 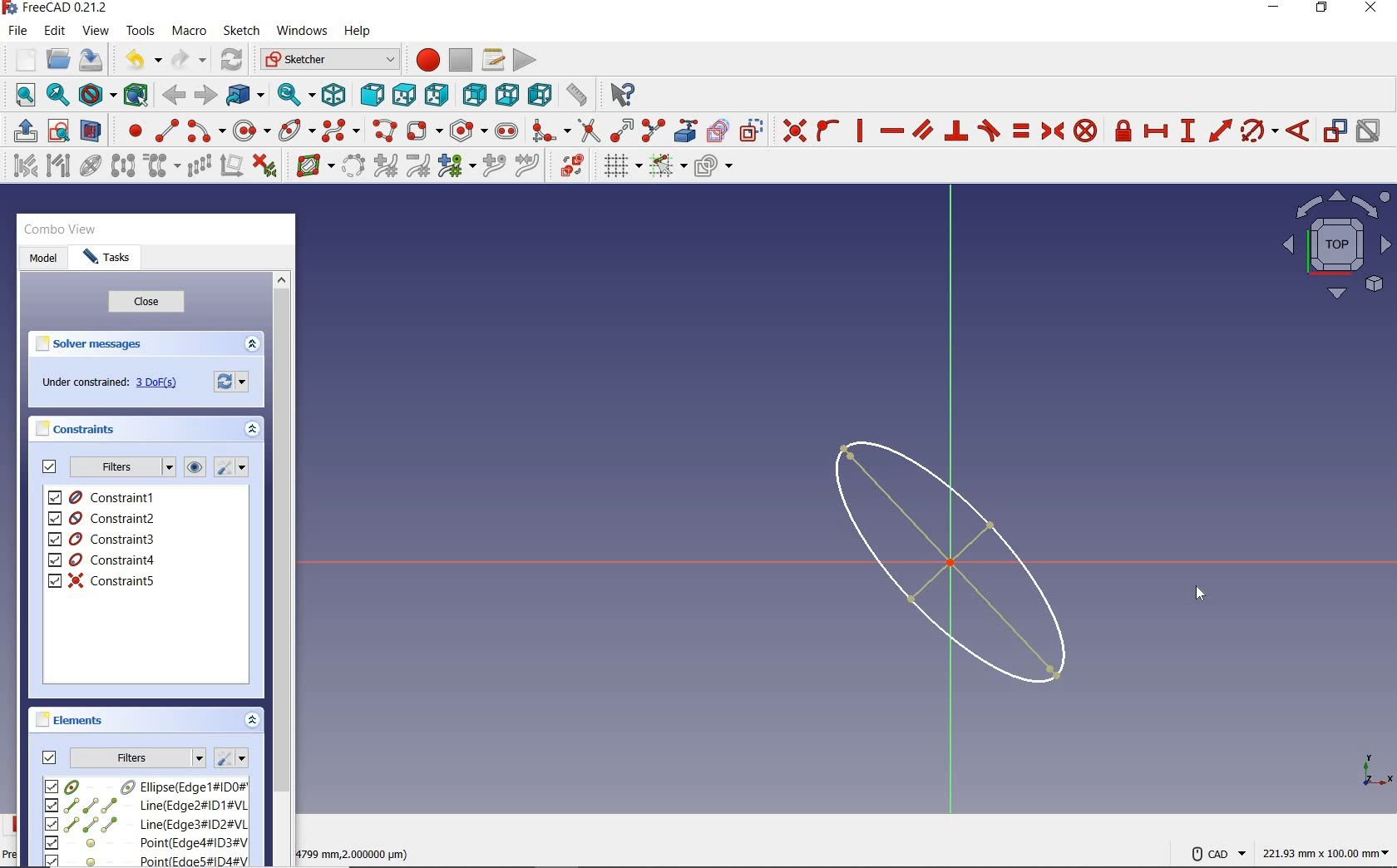 I want to click on toggle driving/ reference constraint, so click(x=1335, y=130).